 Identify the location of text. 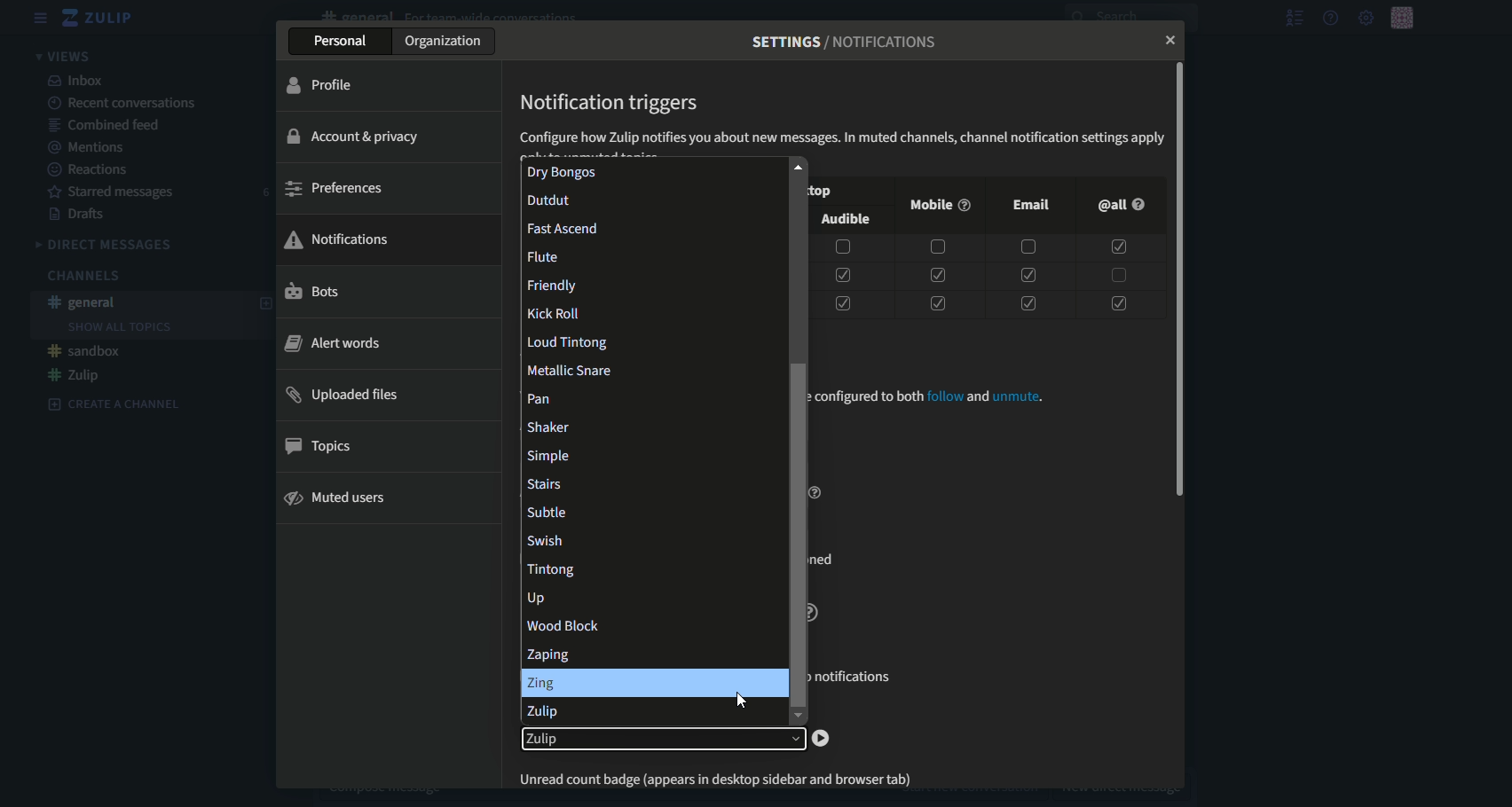
(728, 776).